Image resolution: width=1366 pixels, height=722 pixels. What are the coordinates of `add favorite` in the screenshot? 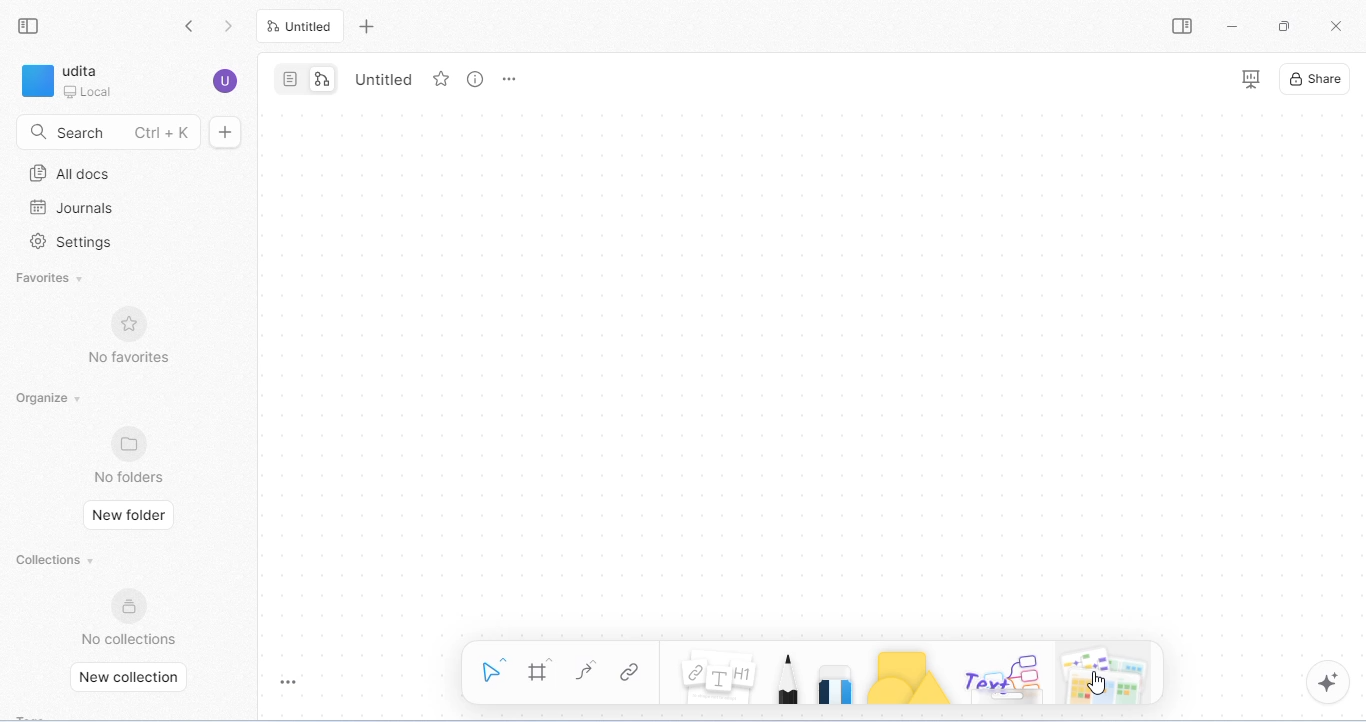 It's located at (442, 78).